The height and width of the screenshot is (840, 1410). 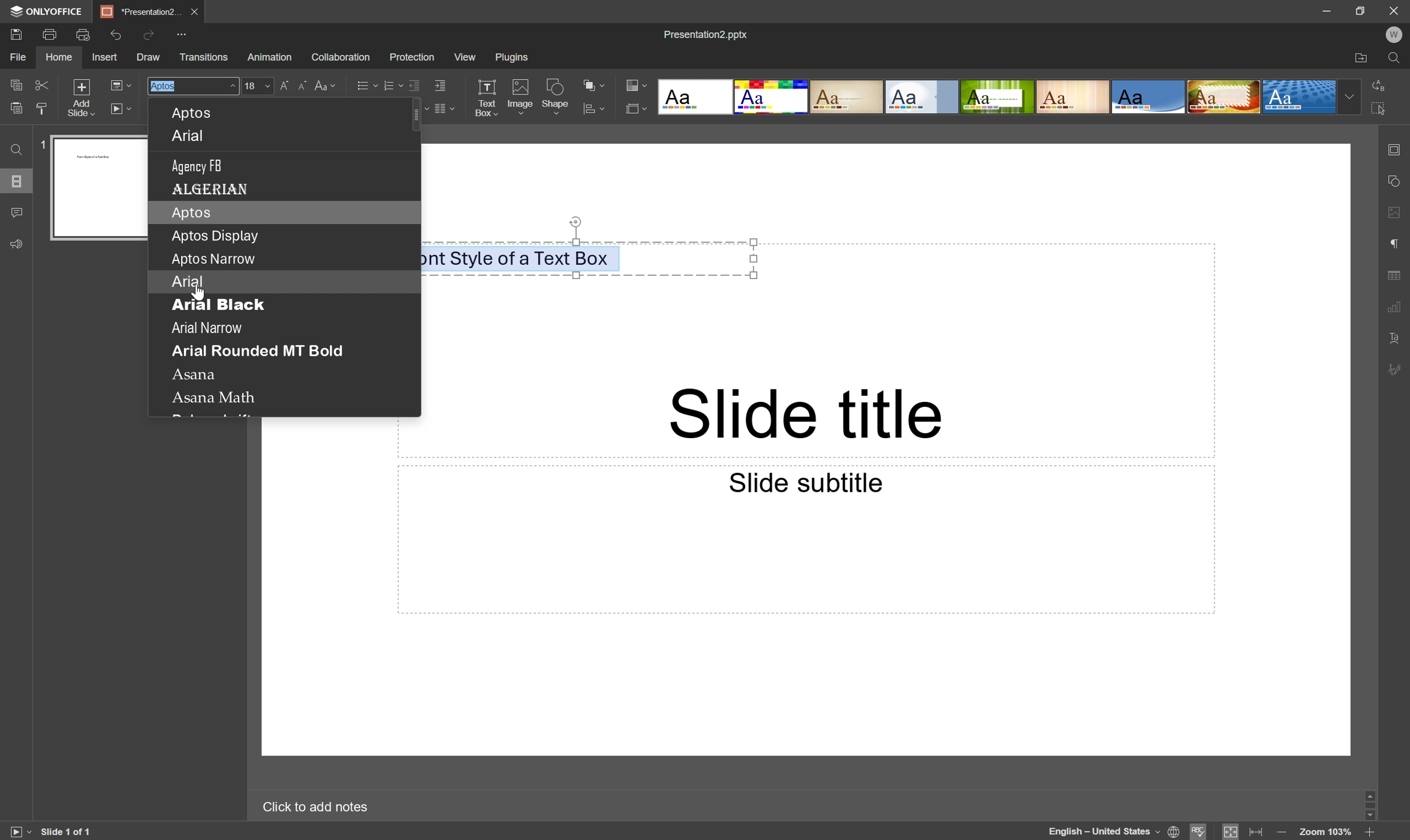 What do you see at coordinates (416, 117) in the screenshot?
I see `scroll bar` at bounding box center [416, 117].